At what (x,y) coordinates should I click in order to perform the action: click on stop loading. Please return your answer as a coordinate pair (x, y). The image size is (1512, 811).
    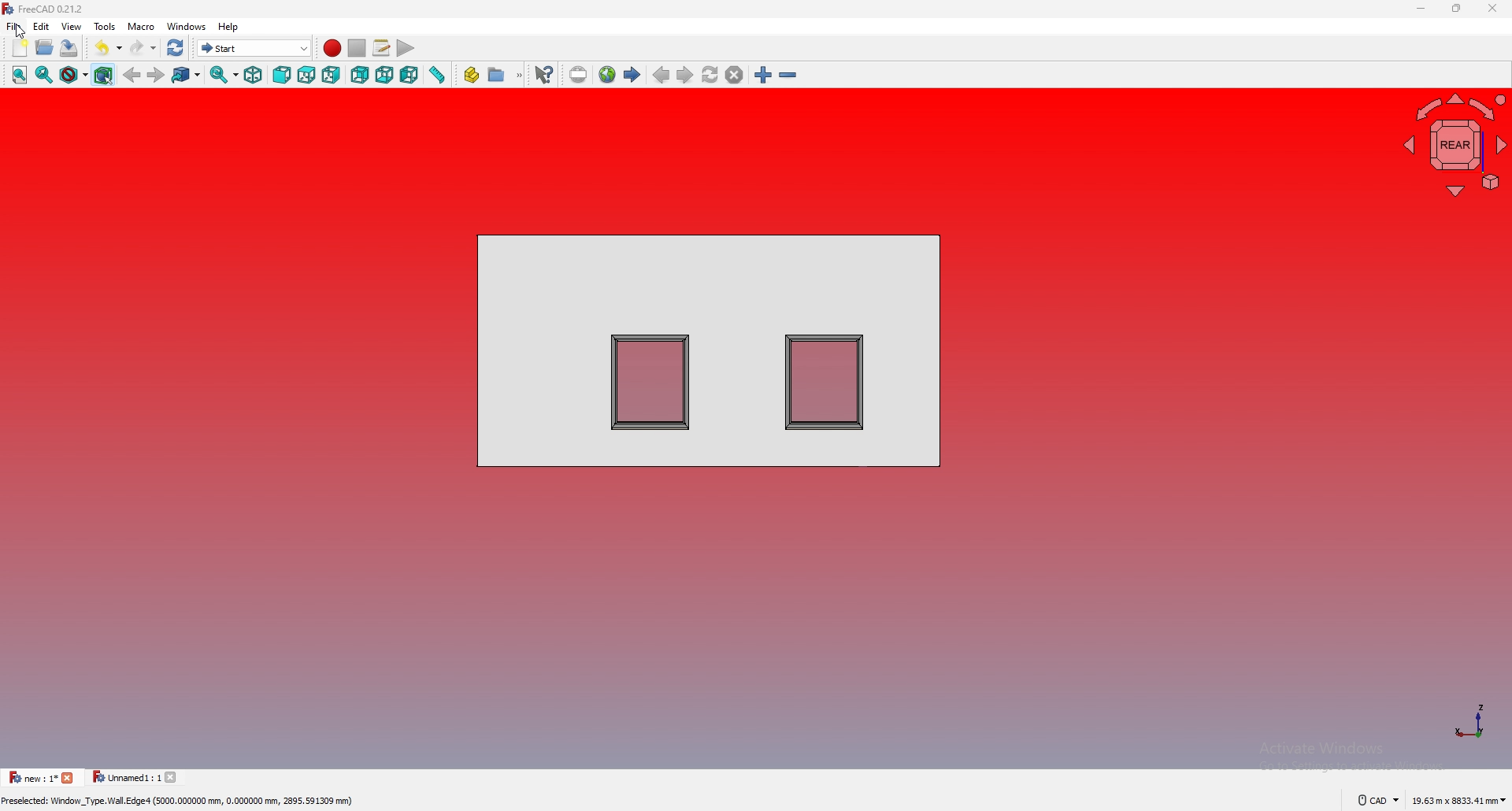
    Looking at the image, I should click on (735, 75).